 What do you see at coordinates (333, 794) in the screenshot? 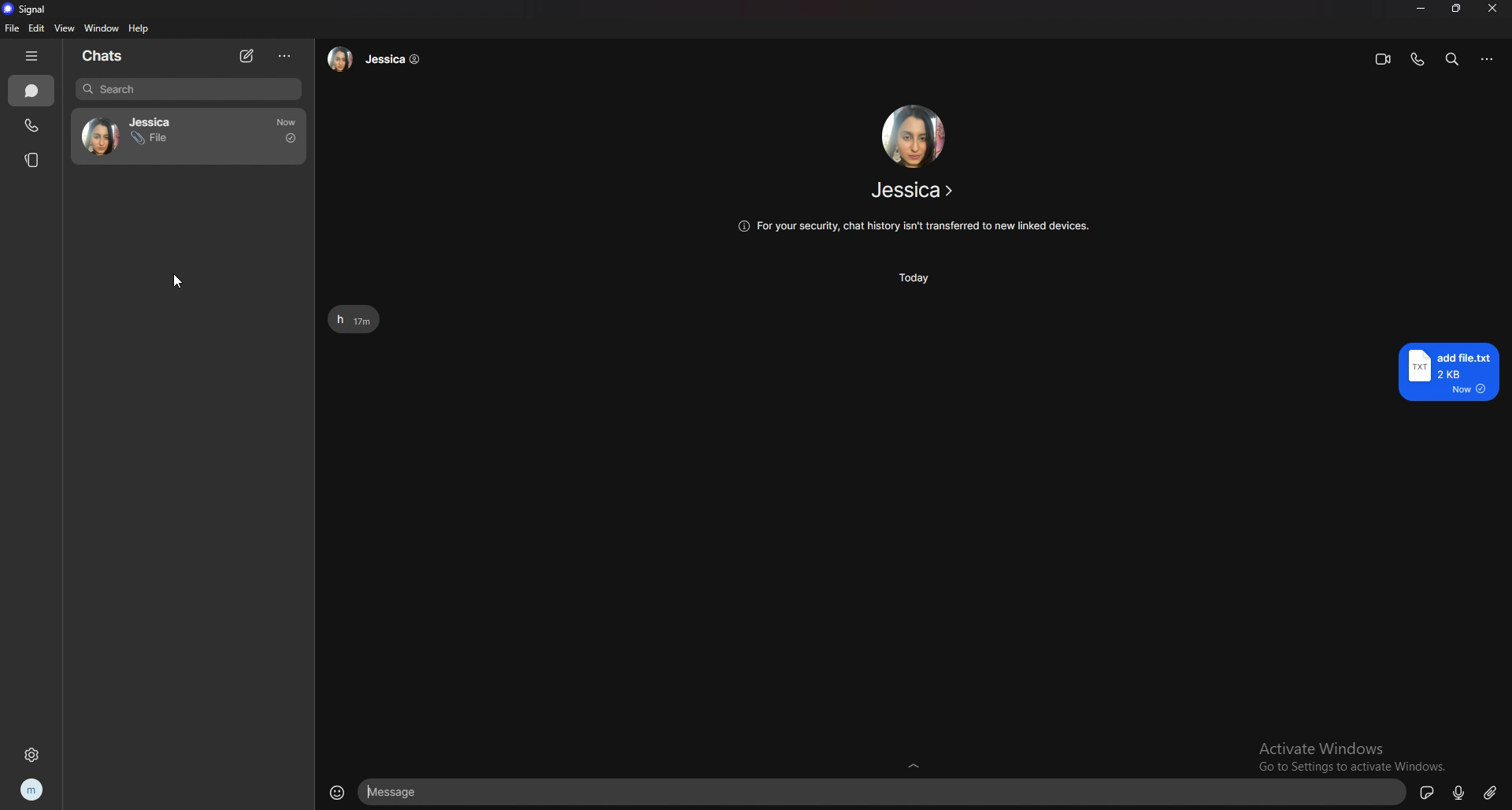
I see `emoji` at bounding box center [333, 794].